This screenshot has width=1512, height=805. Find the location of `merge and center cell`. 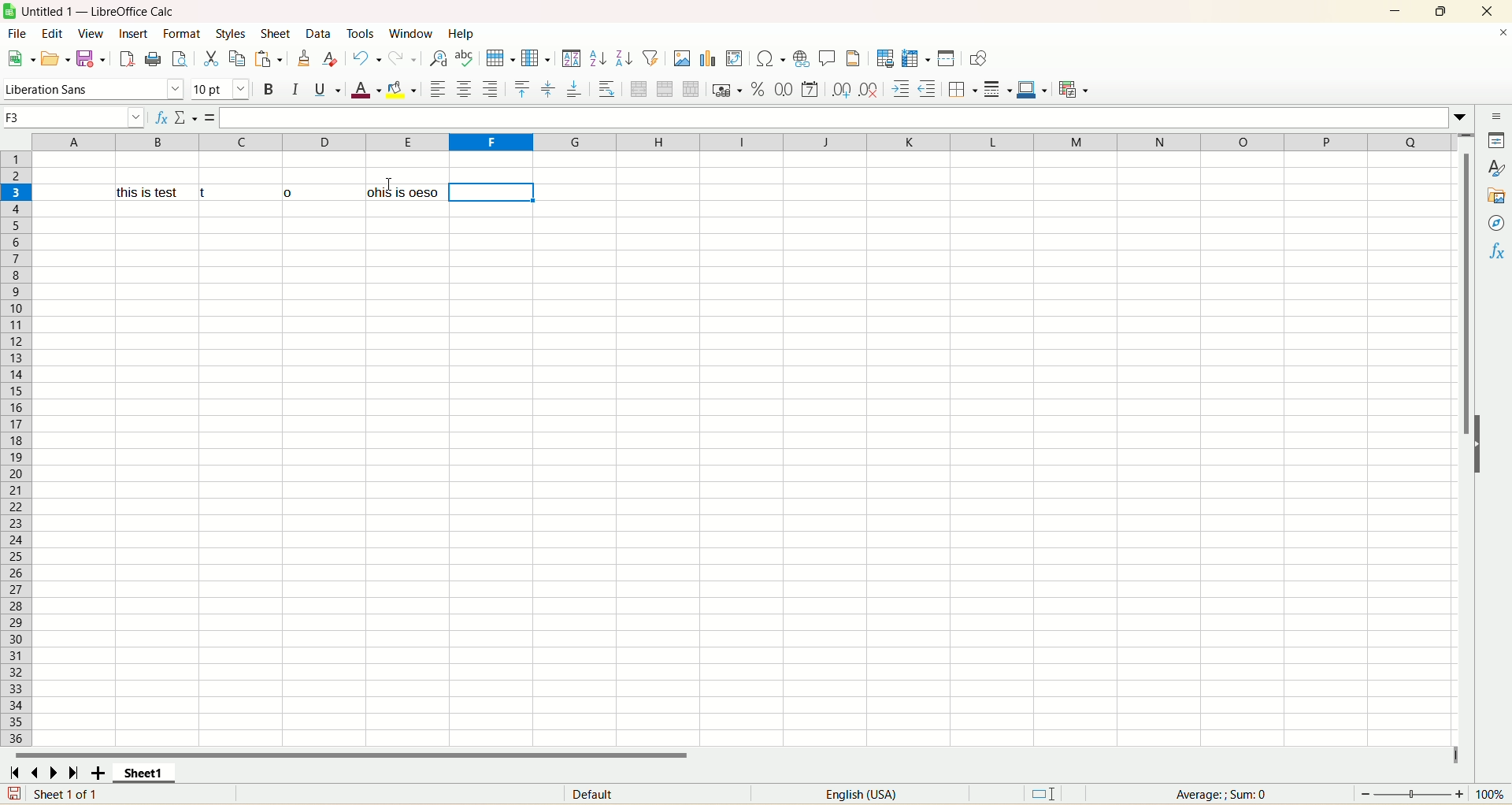

merge and center cell is located at coordinates (641, 91).